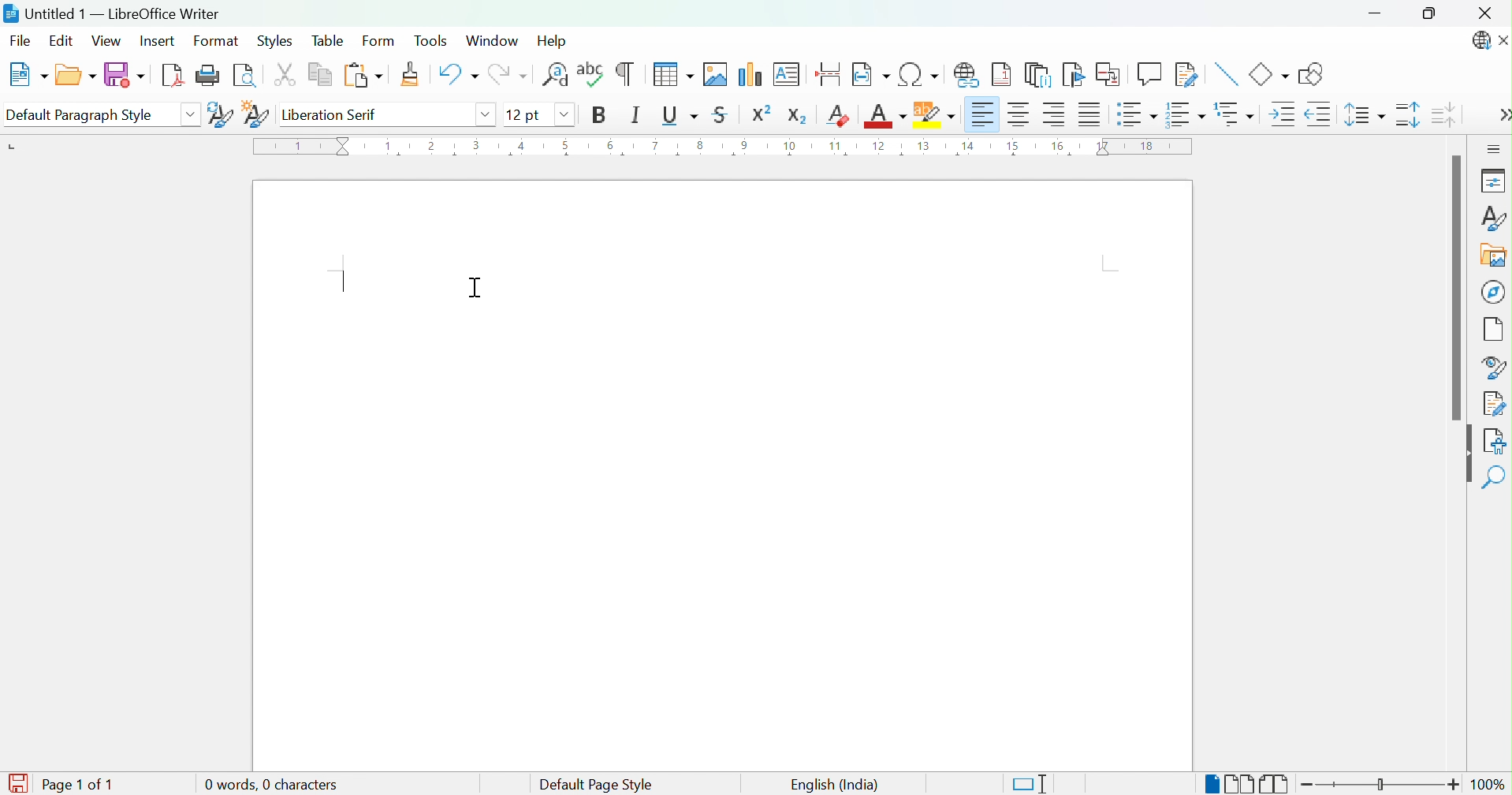 This screenshot has width=1512, height=795. Describe the element at coordinates (1318, 116) in the screenshot. I see `Decrease Indent` at that location.